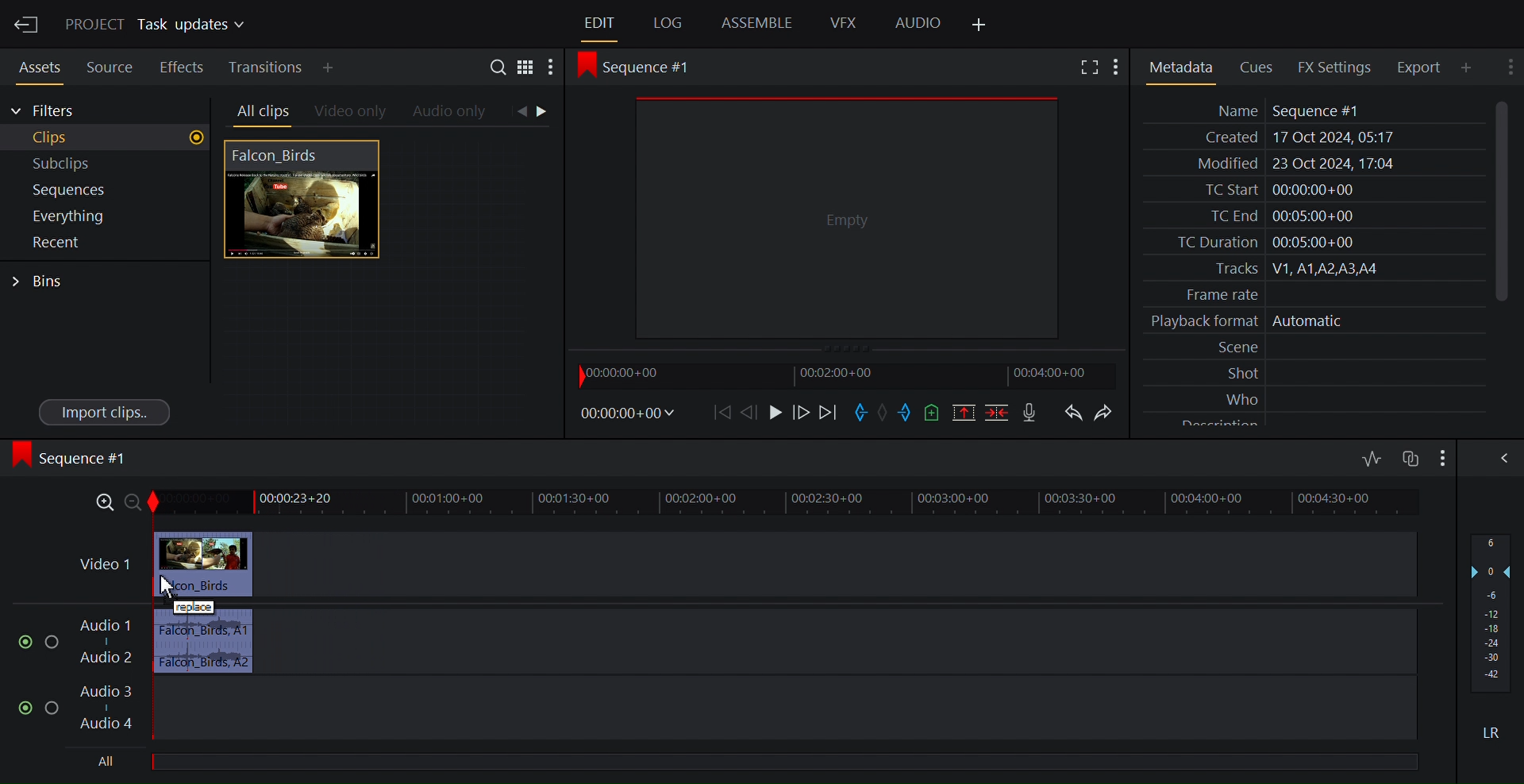  What do you see at coordinates (106, 190) in the screenshot?
I see `Show Sequences in the current project` at bounding box center [106, 190].